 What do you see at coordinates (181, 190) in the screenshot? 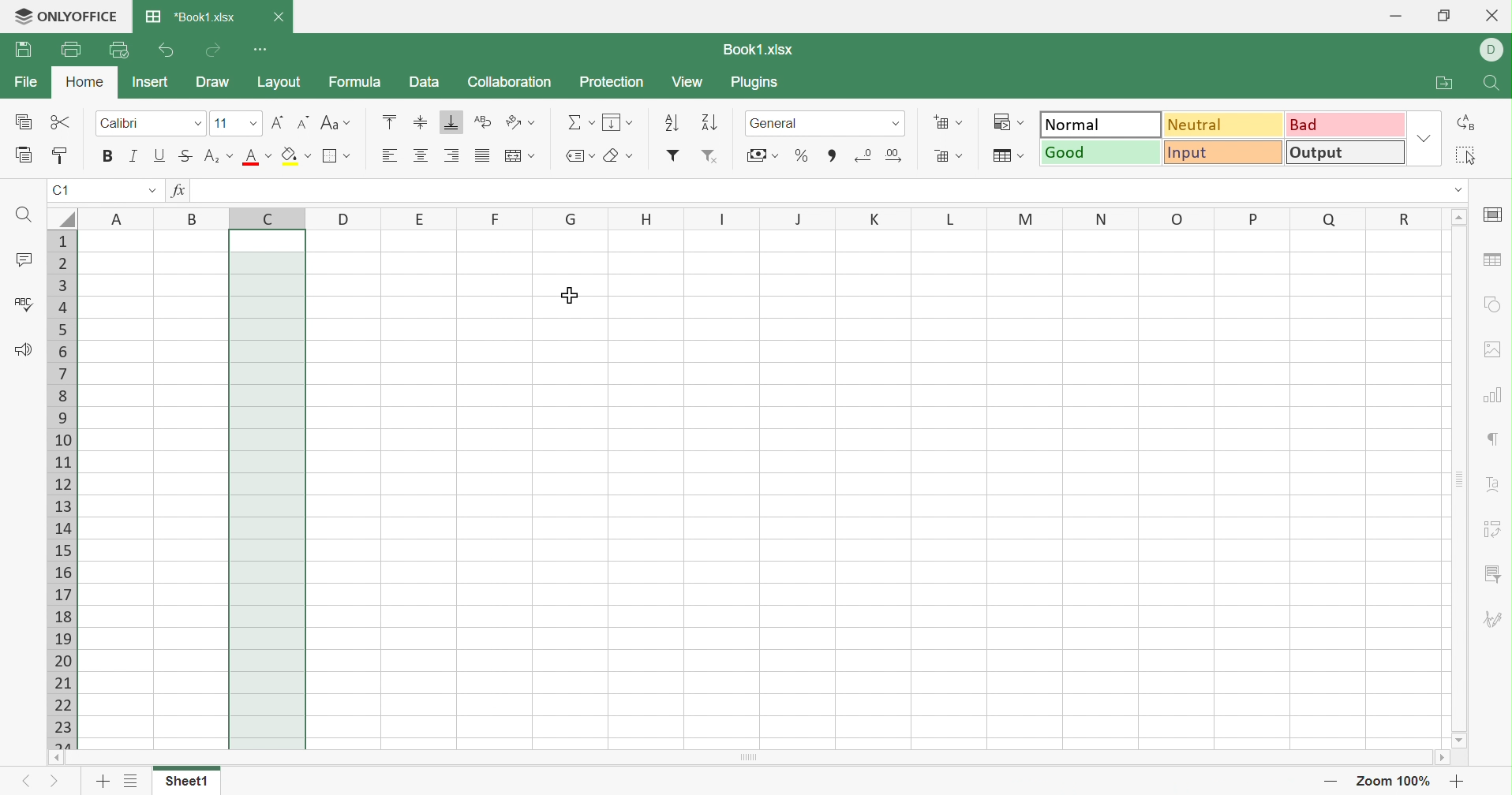
I see `fx` at bounding box center [181, 190].